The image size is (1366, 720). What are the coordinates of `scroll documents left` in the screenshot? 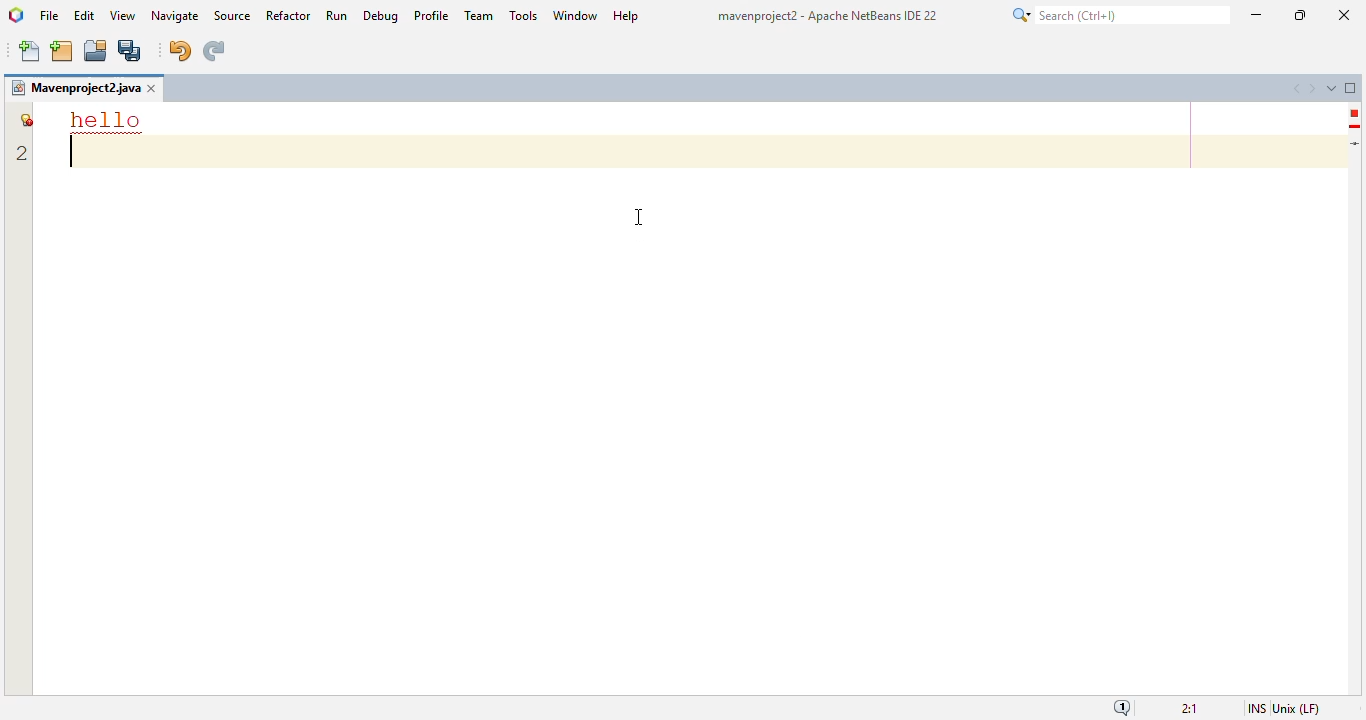 It's located at (1299, 89).